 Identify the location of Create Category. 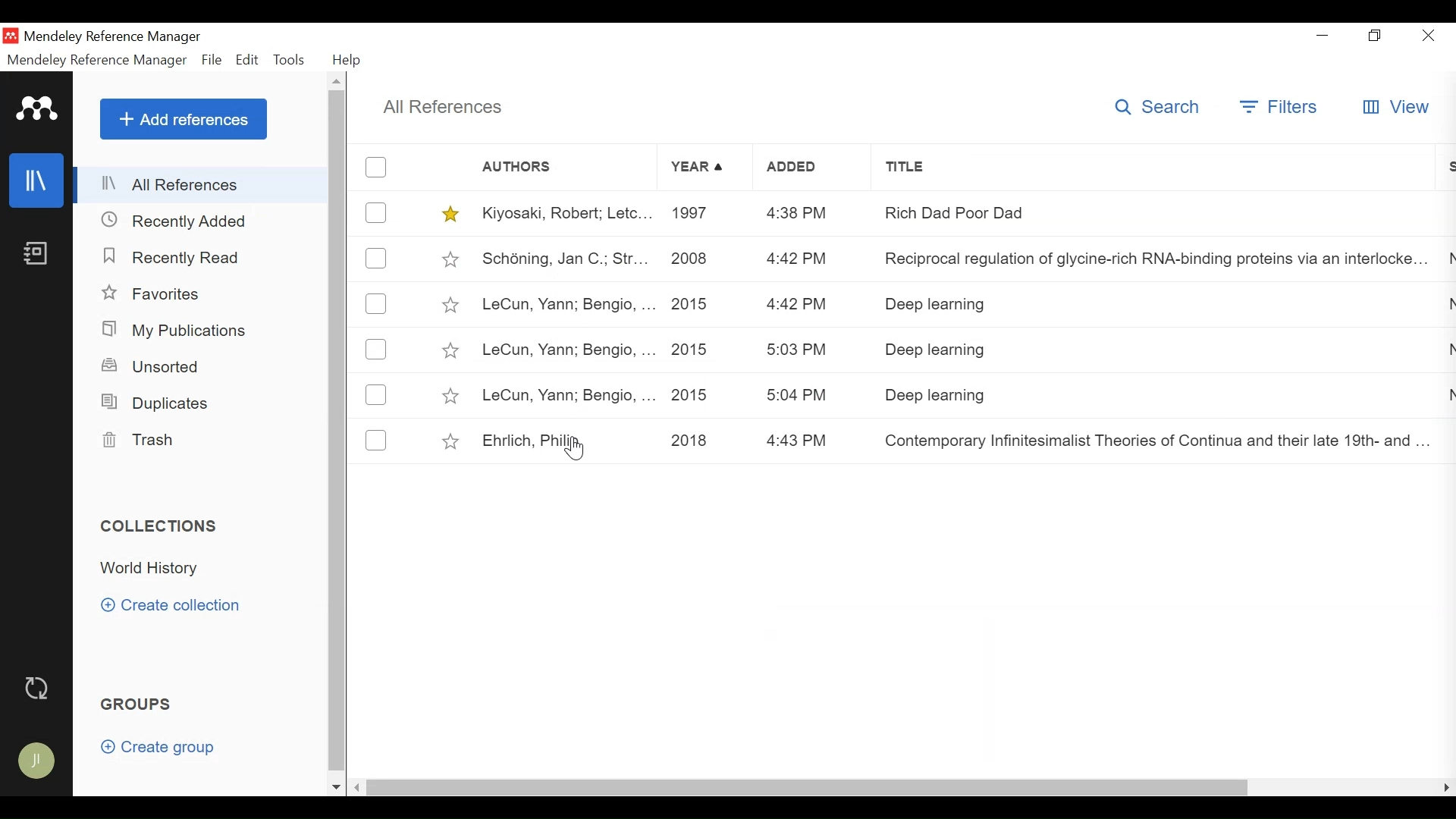
(174, 606).